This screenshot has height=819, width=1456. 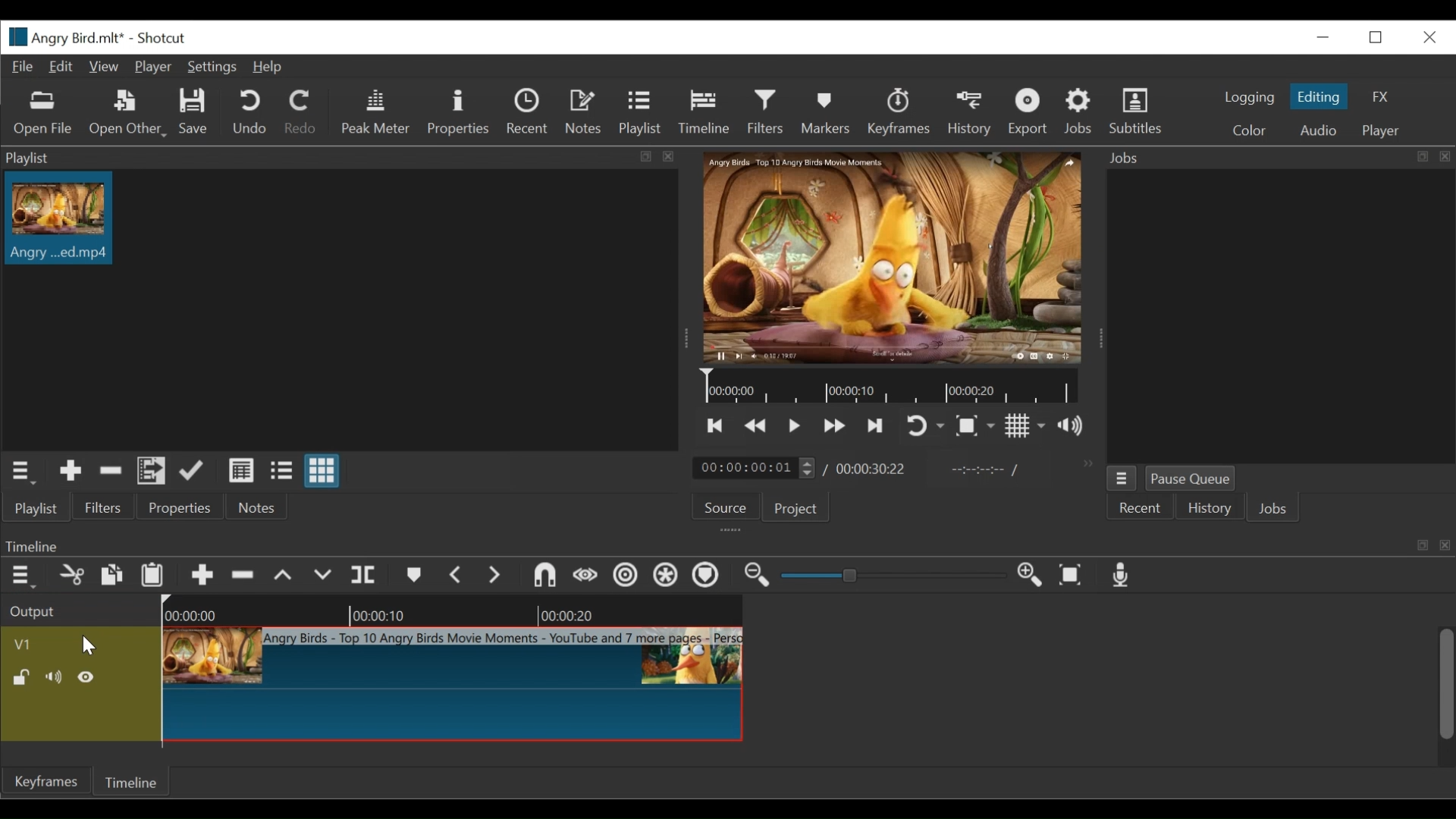 I want to click on Clip, so click(x=452, y=685).